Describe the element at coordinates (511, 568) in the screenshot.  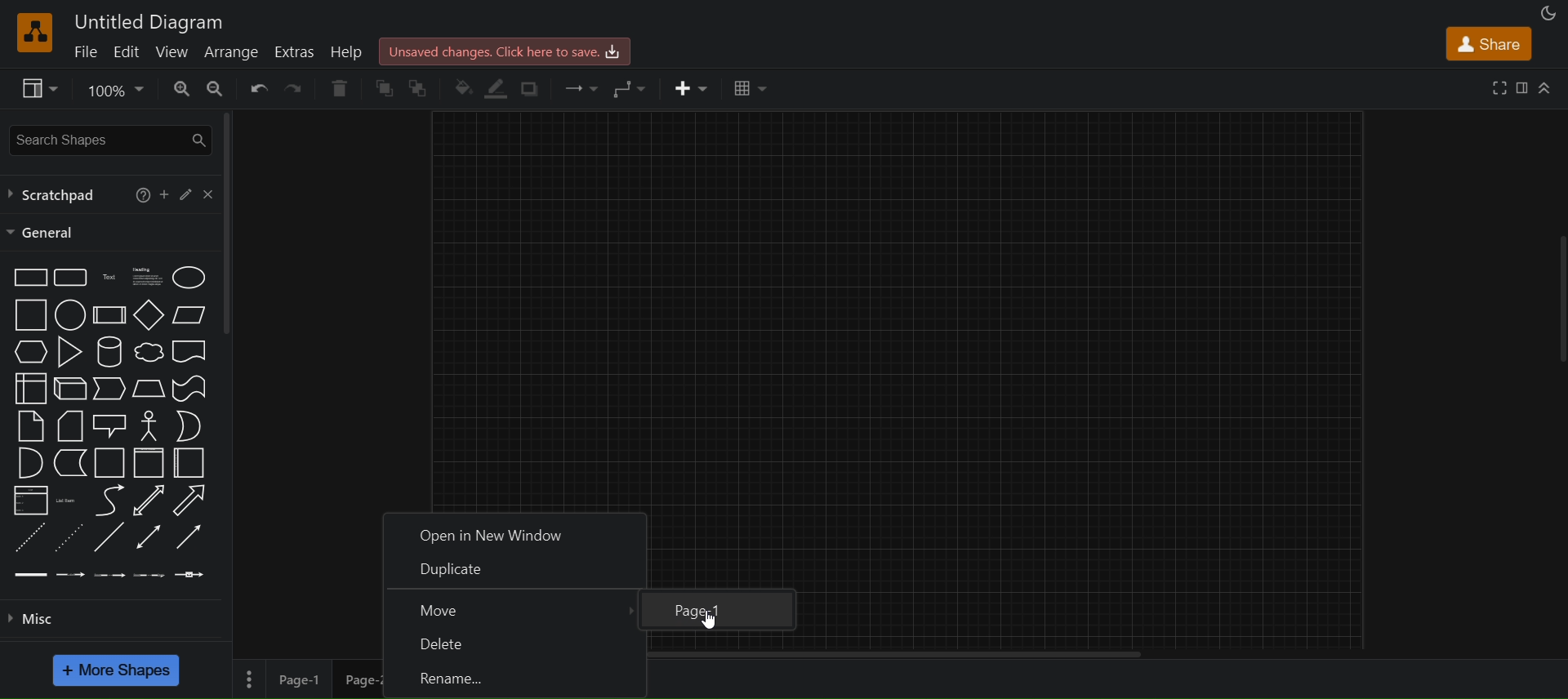
I see `duplixate` at that location.